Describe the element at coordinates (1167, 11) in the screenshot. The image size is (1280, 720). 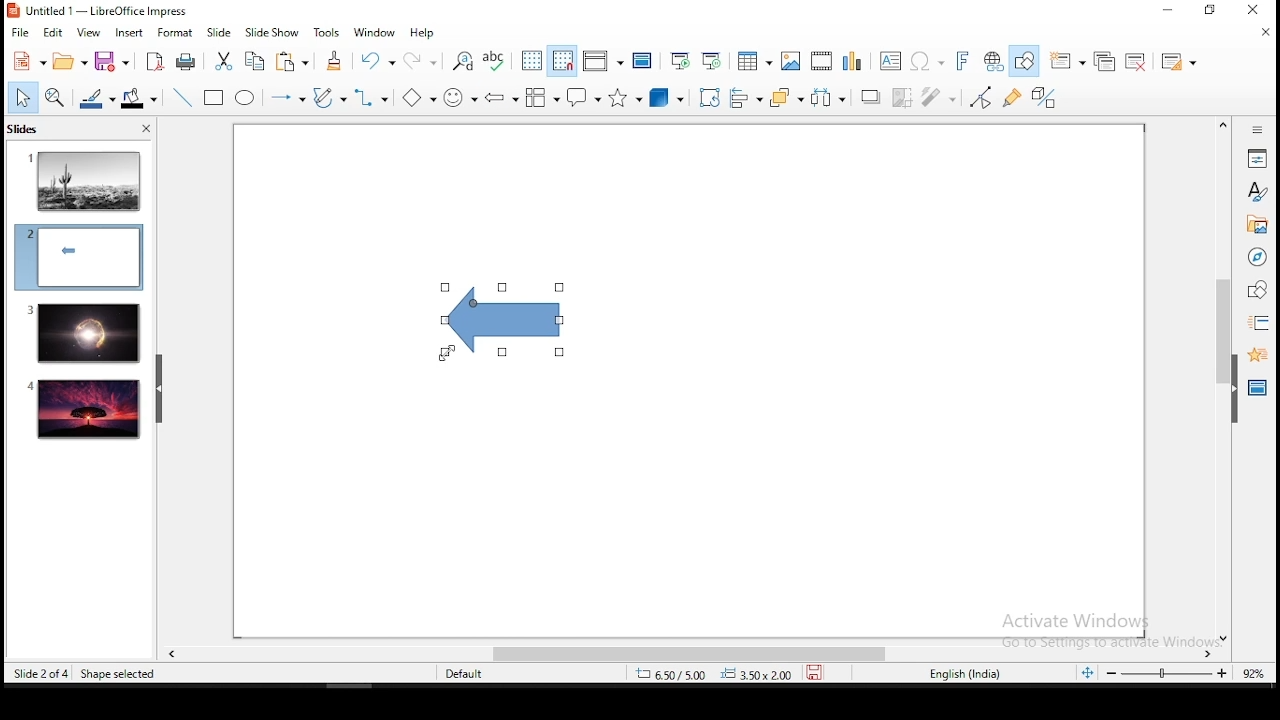
I see `minimize` at that location.